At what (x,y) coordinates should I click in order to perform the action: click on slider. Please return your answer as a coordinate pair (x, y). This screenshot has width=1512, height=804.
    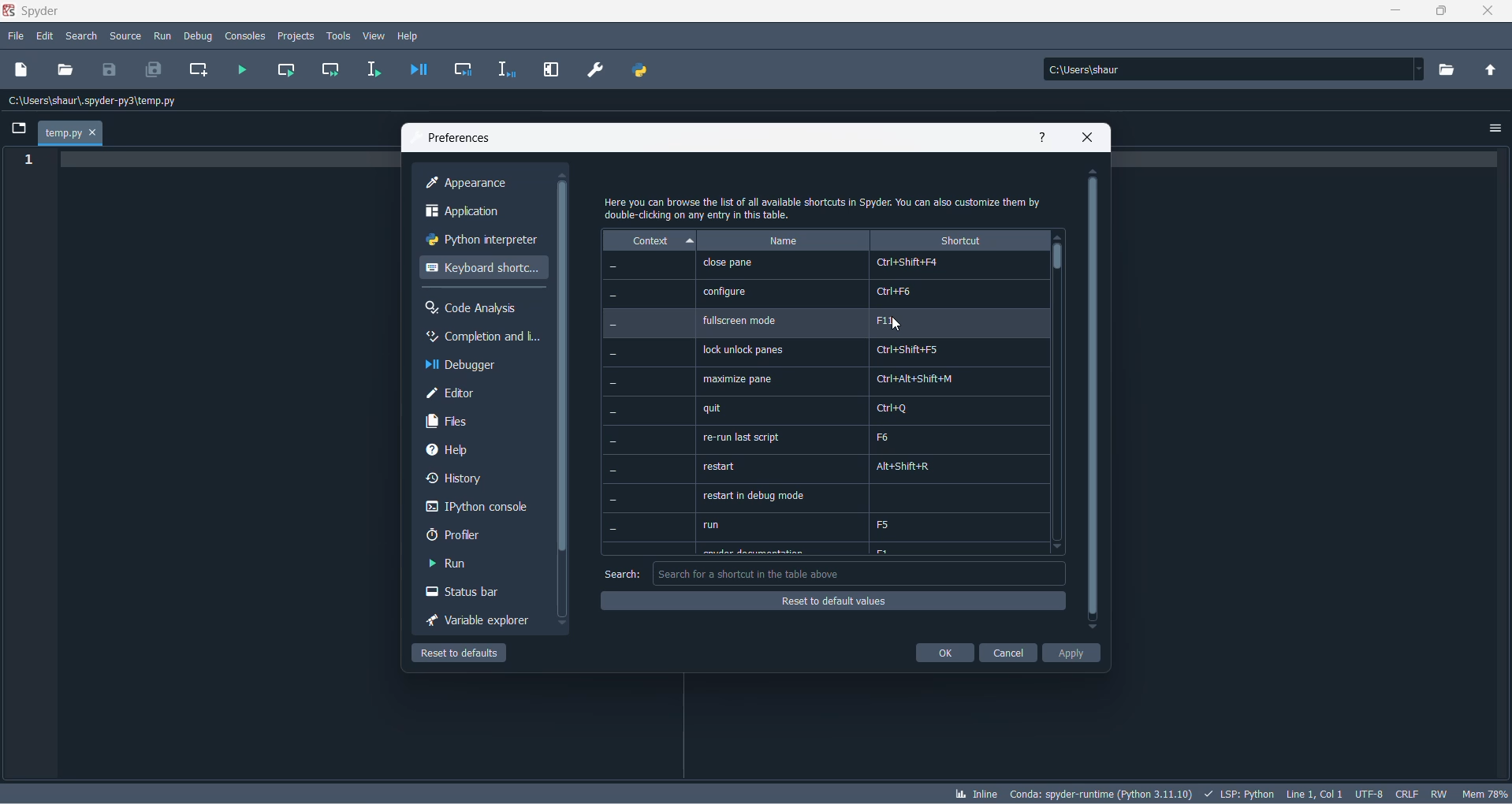
    Looking at the image, I should click on (1057, 262).